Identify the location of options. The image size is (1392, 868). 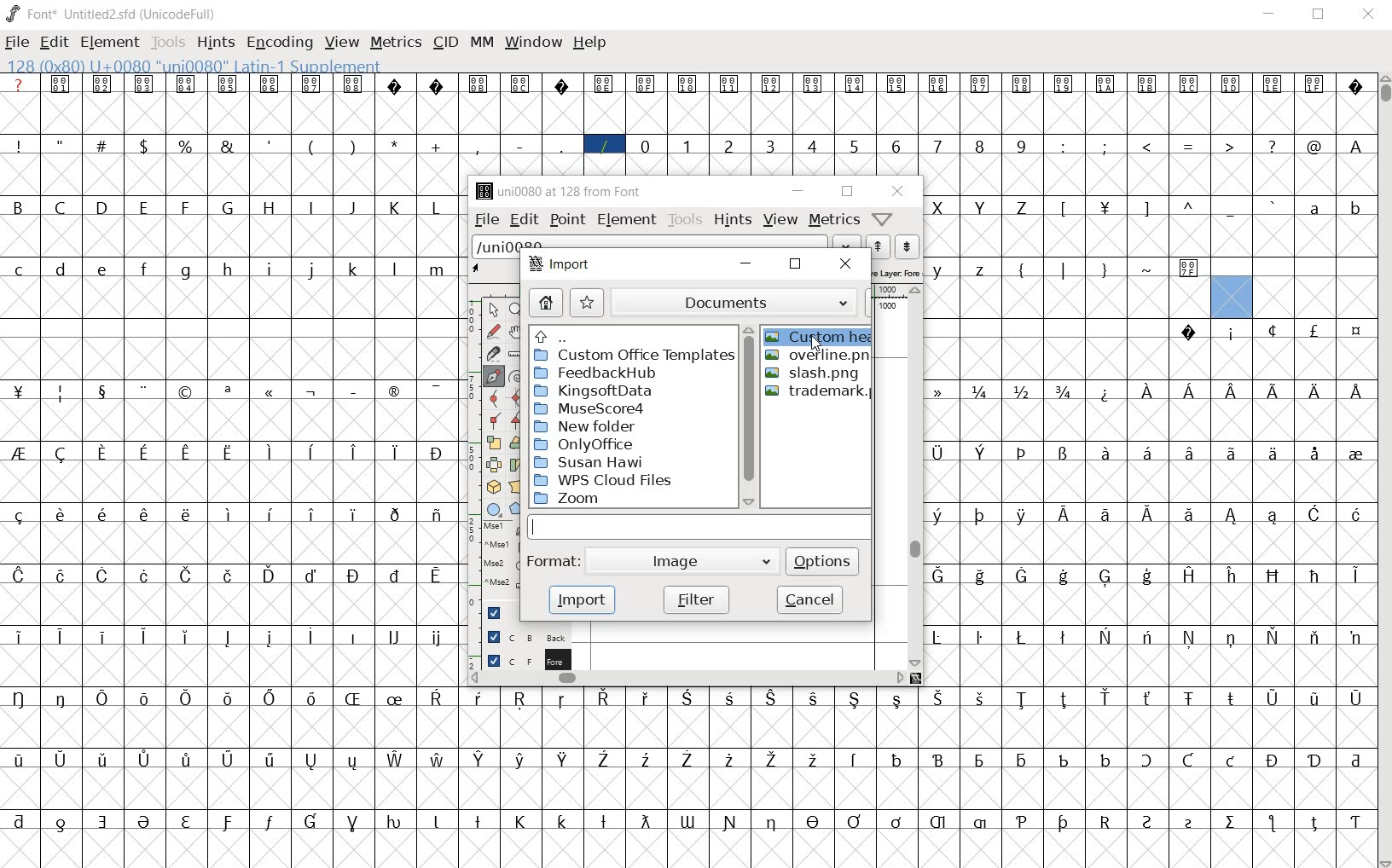
(822, 561).